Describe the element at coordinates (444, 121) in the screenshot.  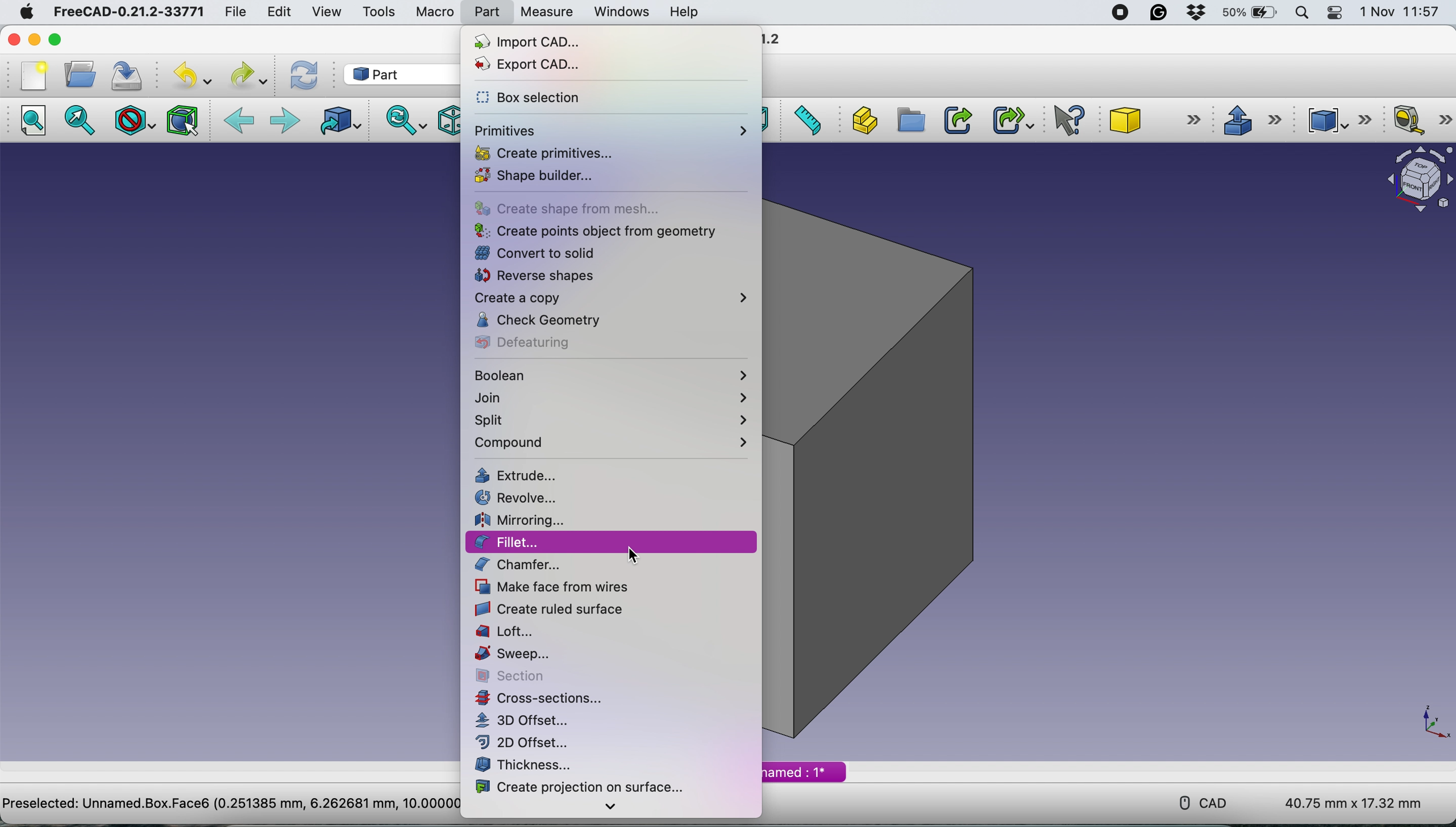
I see `isometric` at that location.